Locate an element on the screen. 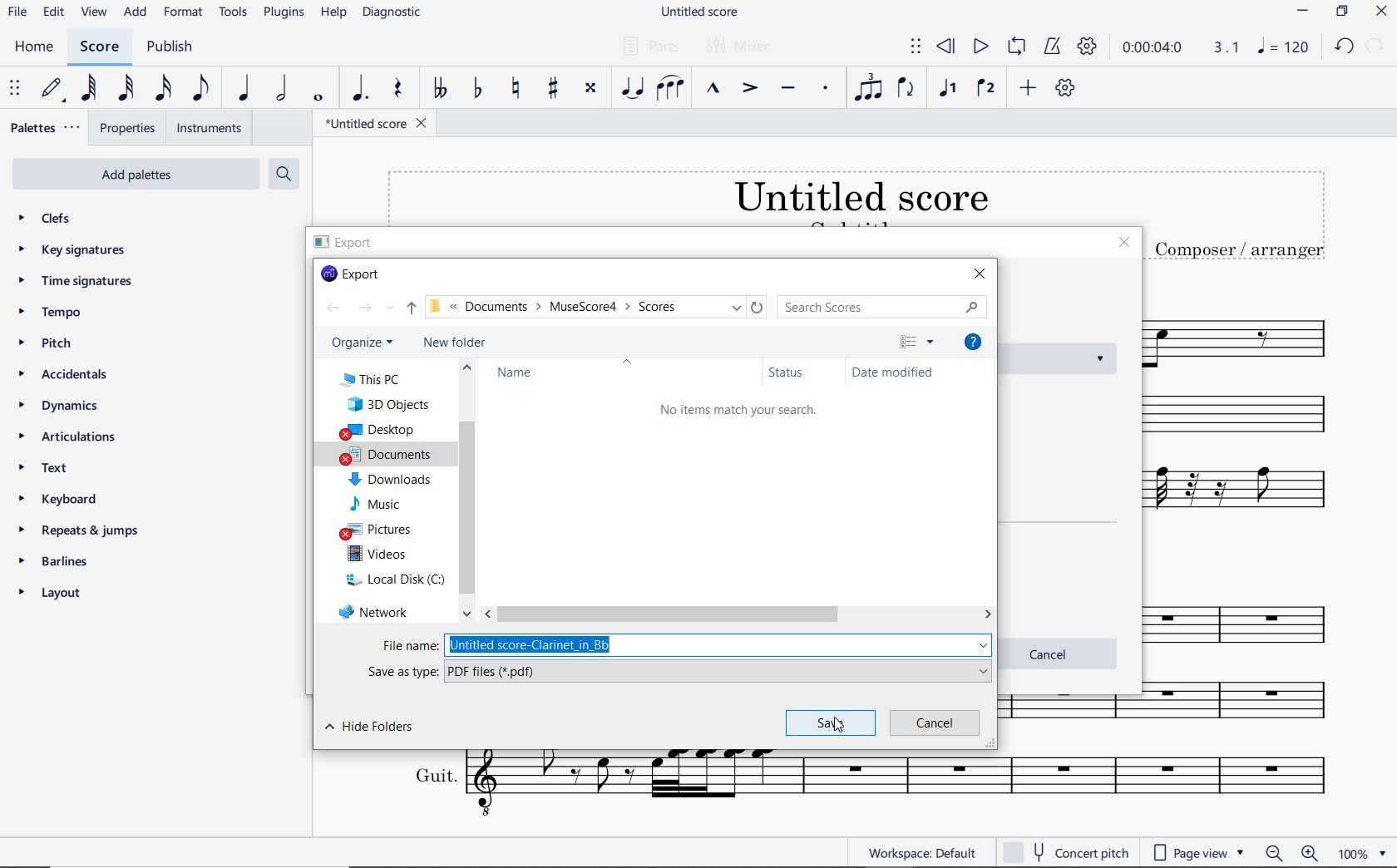 This screenshot has width=1397, height=868. DYNAMICS is located at coordinates (62, 408).